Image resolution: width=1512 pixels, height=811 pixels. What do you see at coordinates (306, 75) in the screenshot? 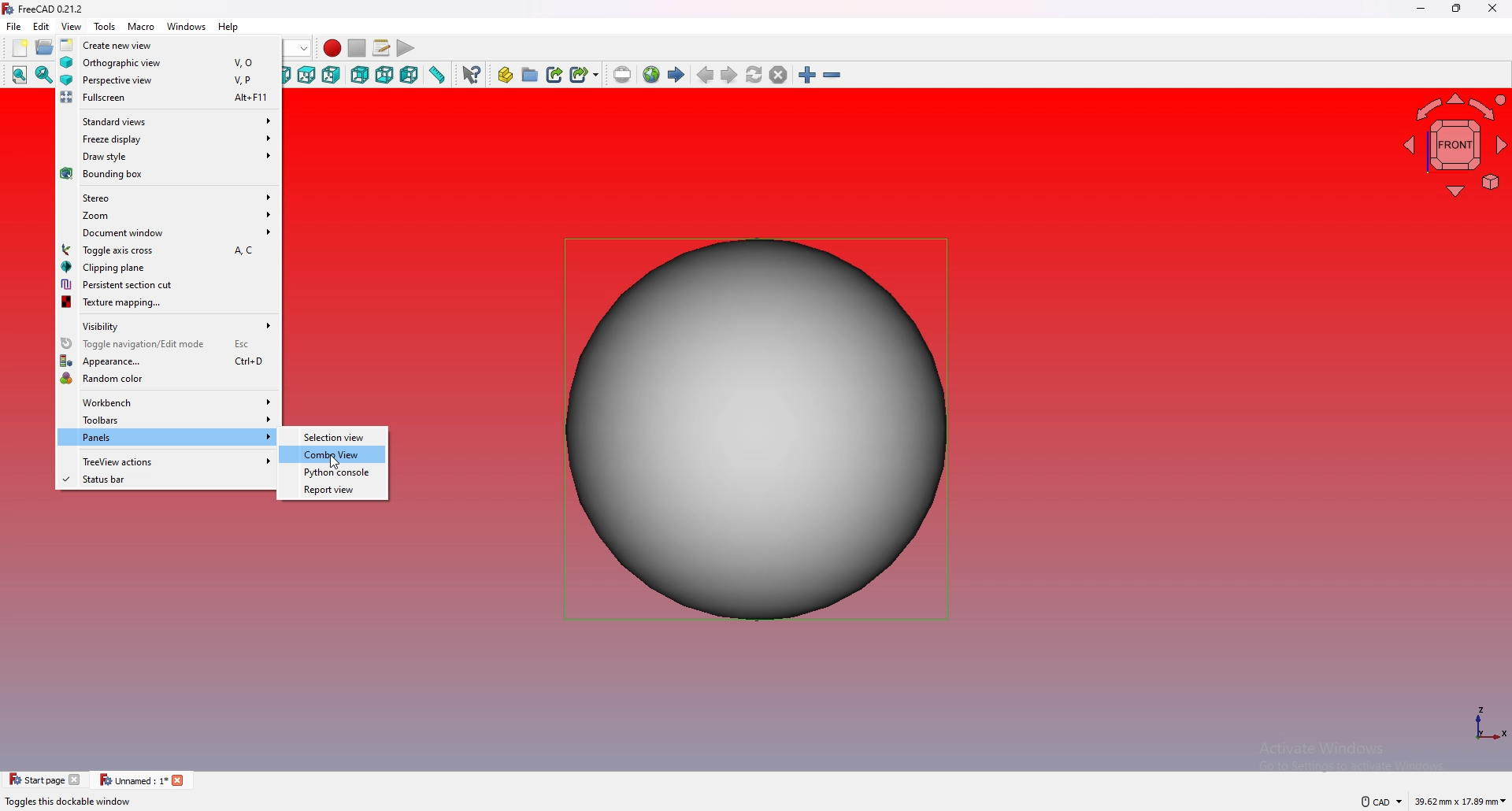
I see `top` at bounding box center [306, 75].